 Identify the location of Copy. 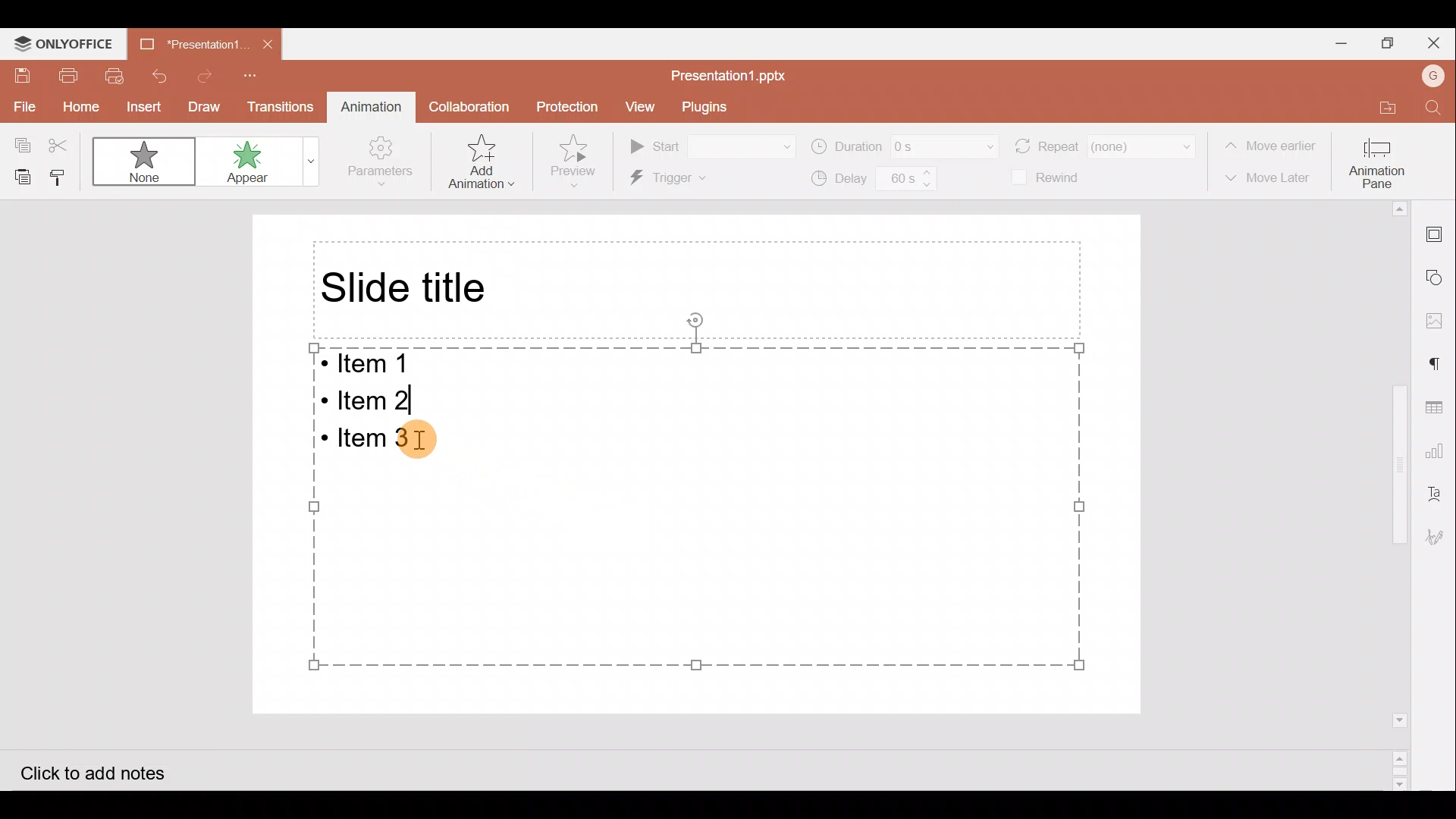
(20, 144).